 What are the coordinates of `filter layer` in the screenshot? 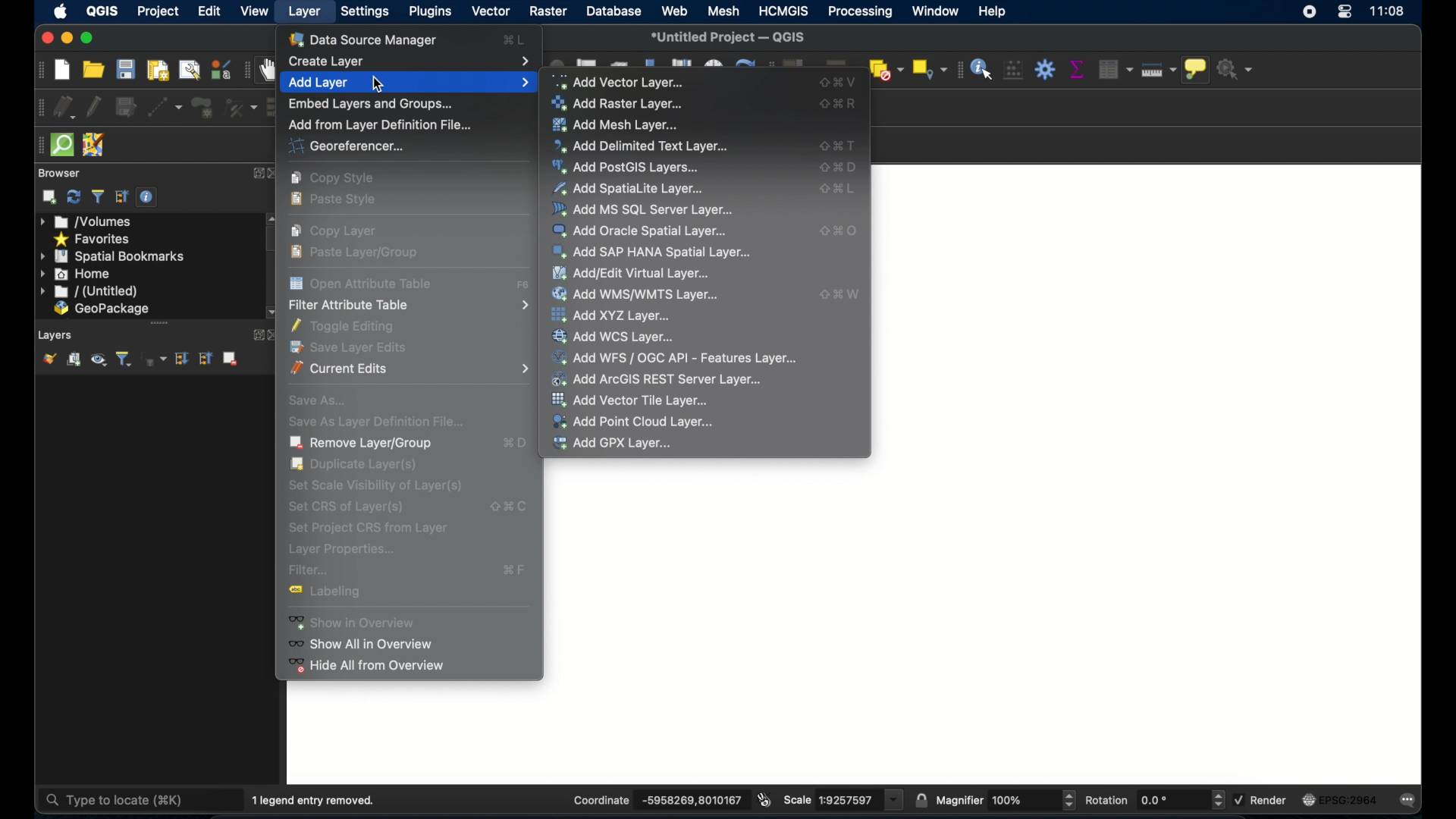 It's located at (124, 359).